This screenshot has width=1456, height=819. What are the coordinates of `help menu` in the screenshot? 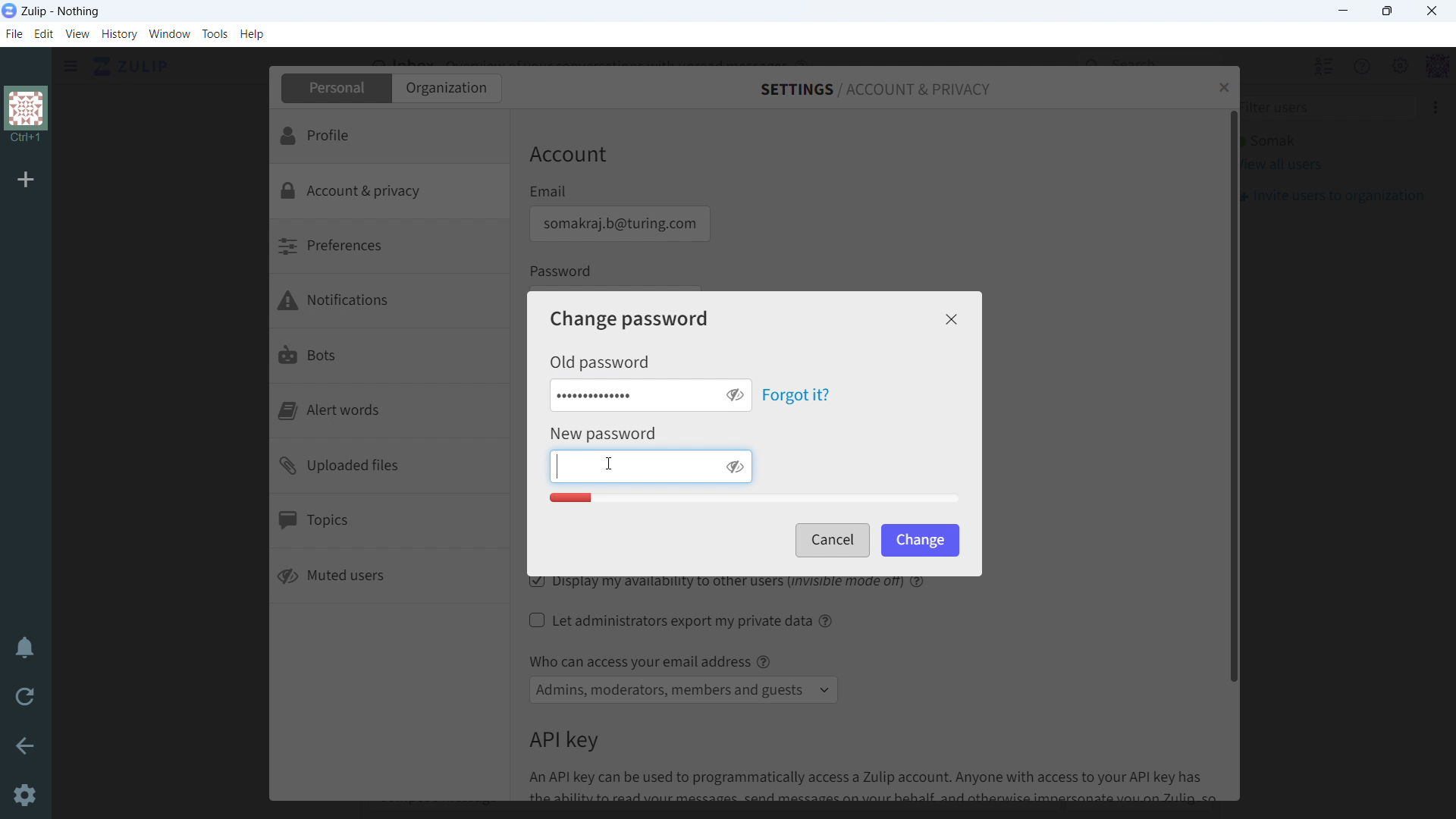 It's located at (1358, 66).